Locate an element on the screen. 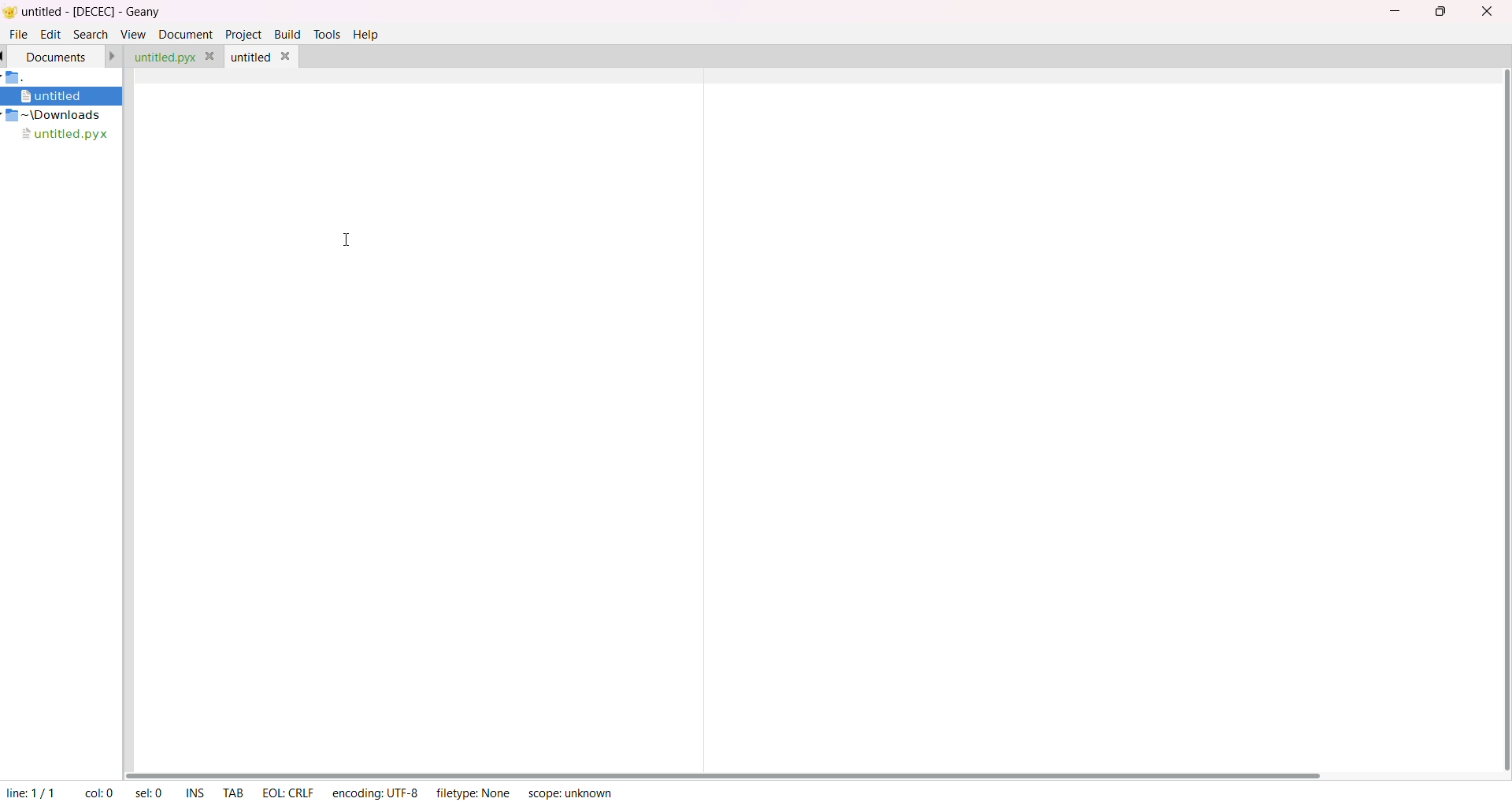  file name is located at coordinates (63, 135).